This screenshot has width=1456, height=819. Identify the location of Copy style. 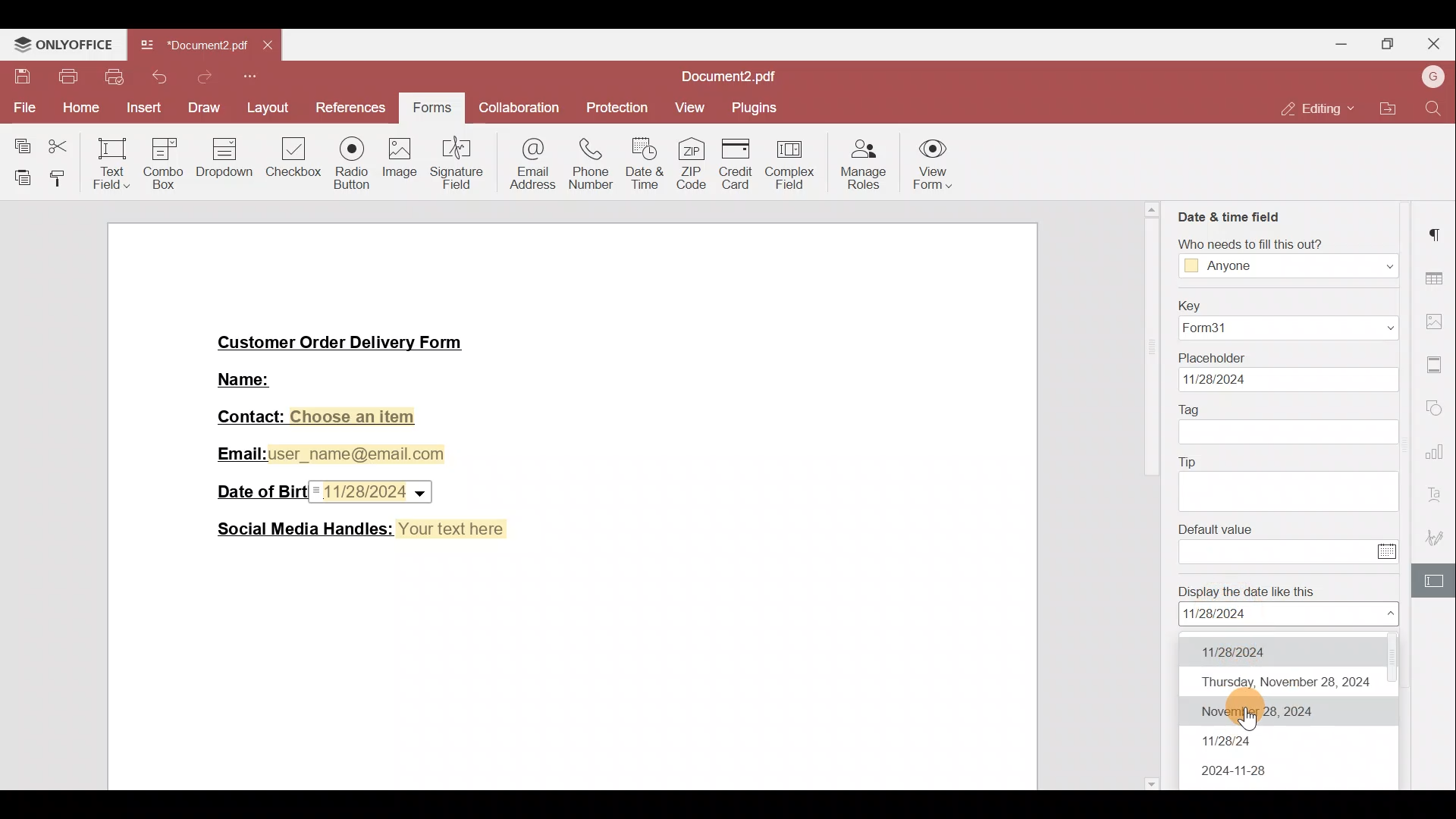
(61, 176).